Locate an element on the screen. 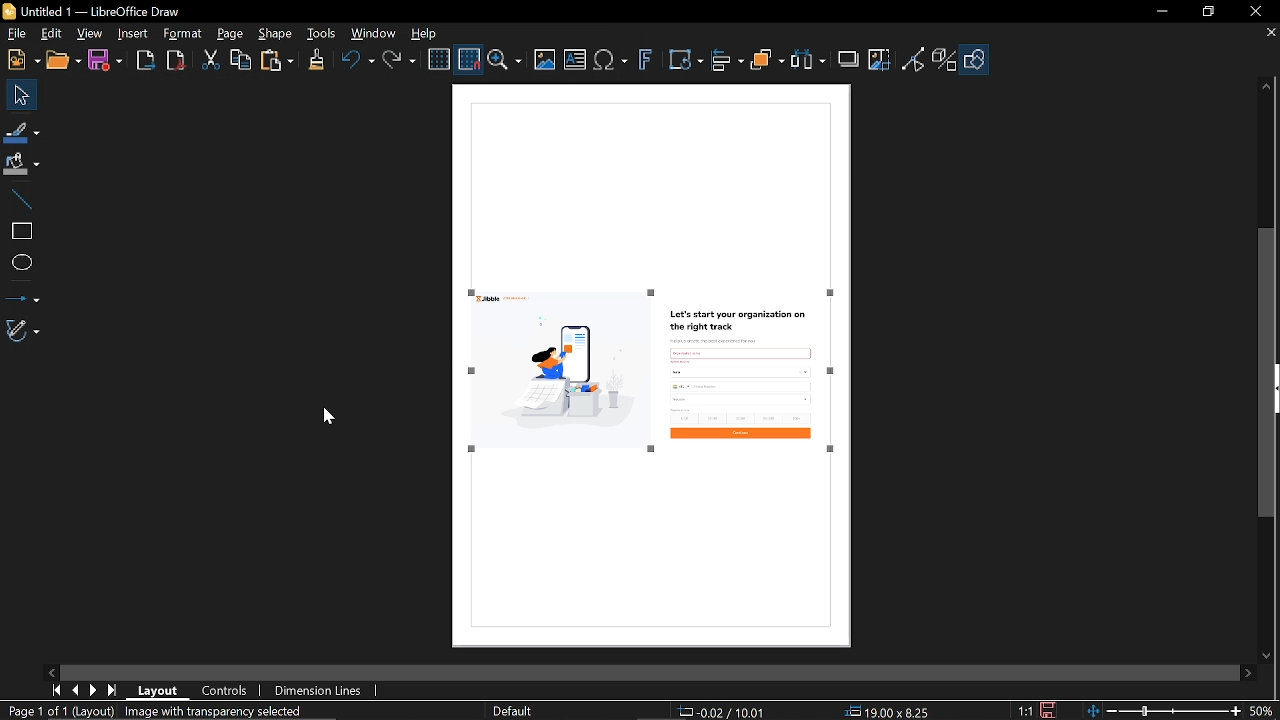 This screenshot has width=1280, height=720. Close is located at coordinates (1253, 13).